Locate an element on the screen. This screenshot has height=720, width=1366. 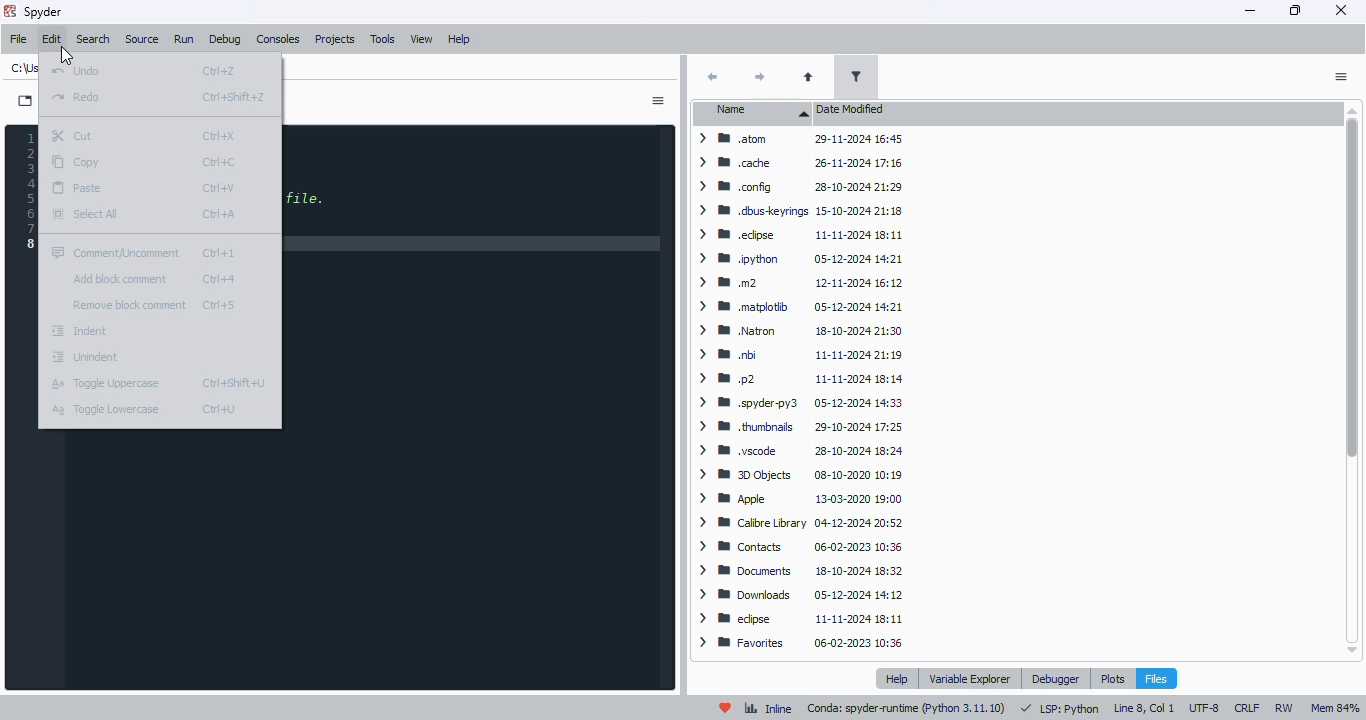
> WM .dbuskeyrings 15-10-2024 21:18 is located at coordinates (797, 209).